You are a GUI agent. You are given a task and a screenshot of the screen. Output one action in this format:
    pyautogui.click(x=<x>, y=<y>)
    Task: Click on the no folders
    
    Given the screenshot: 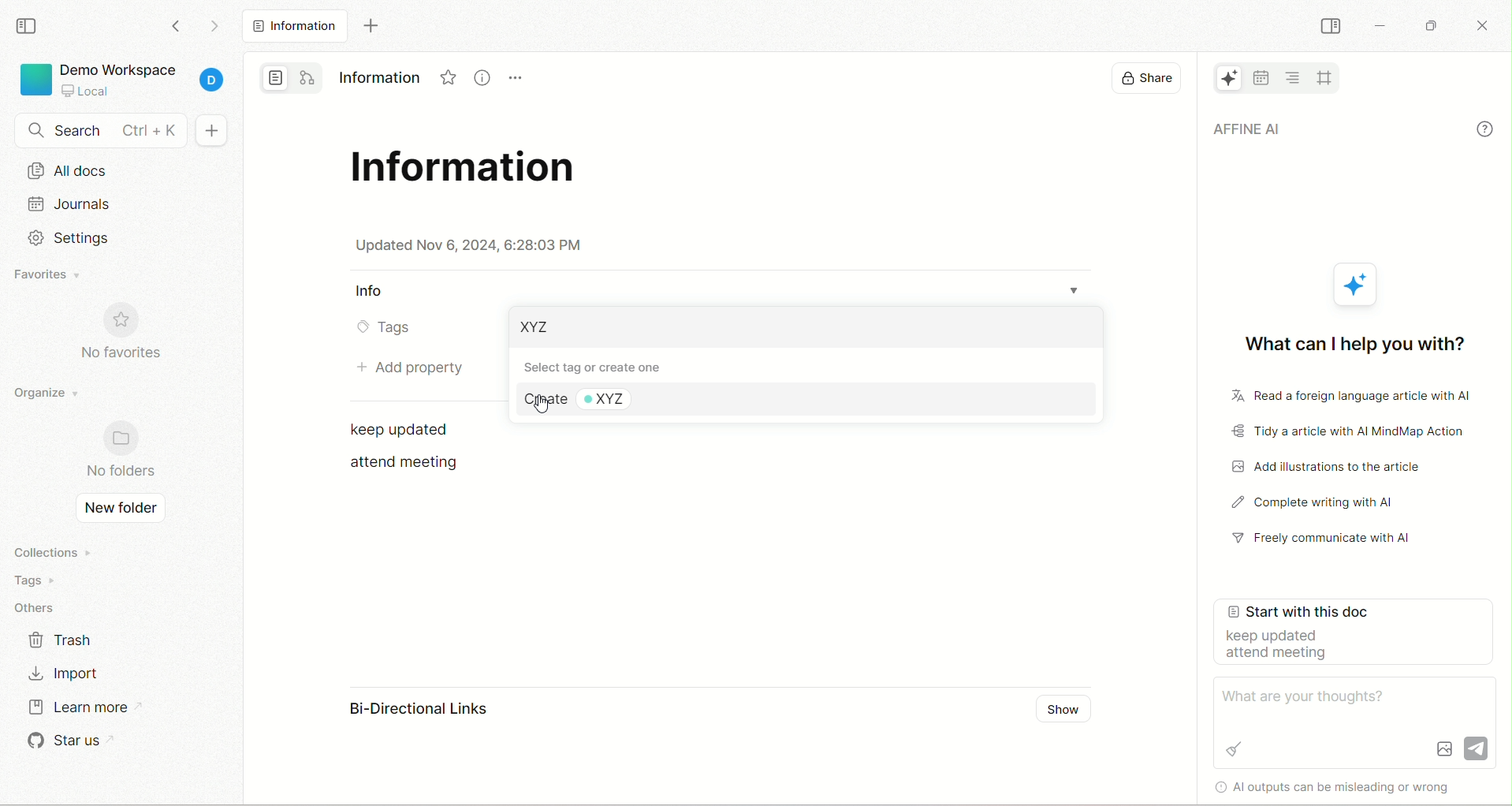 What is the action you would take?
    pyautogui.click(x=119, y=453)
    